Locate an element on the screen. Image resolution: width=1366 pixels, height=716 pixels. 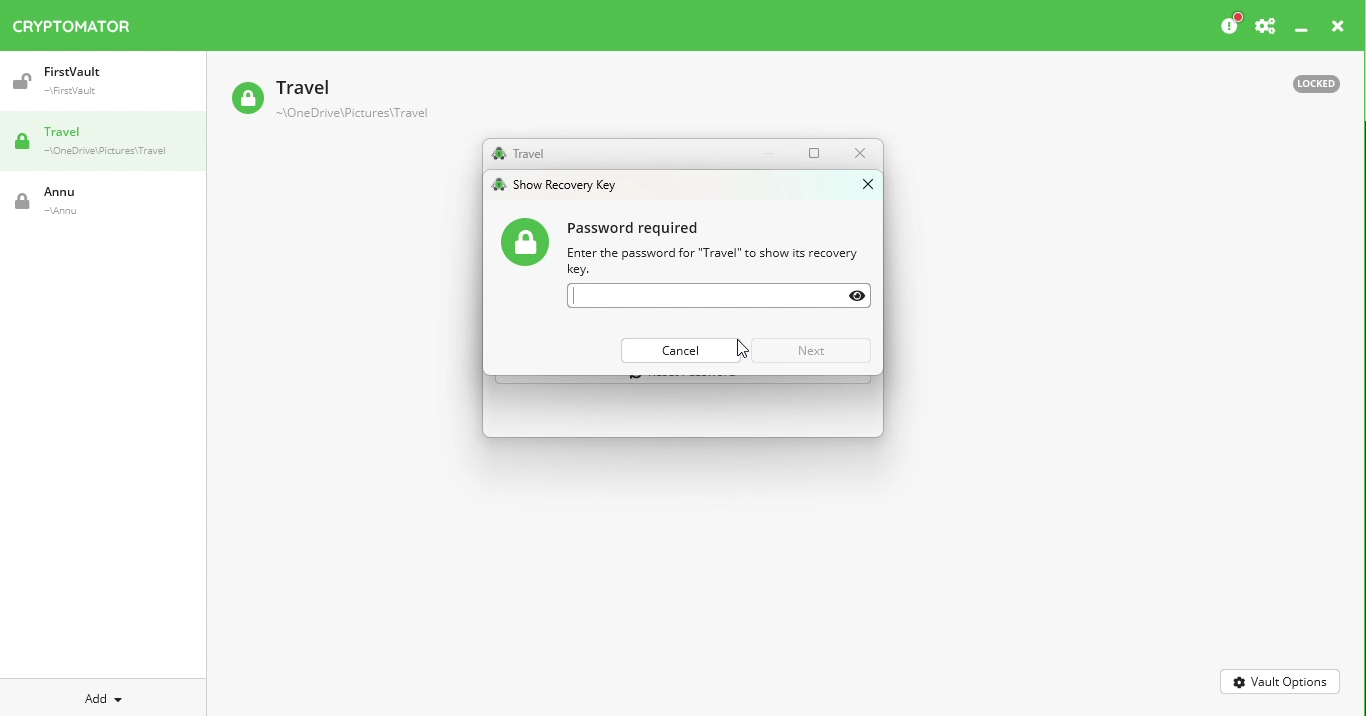
Cursor is located at coordinates (742, 350).